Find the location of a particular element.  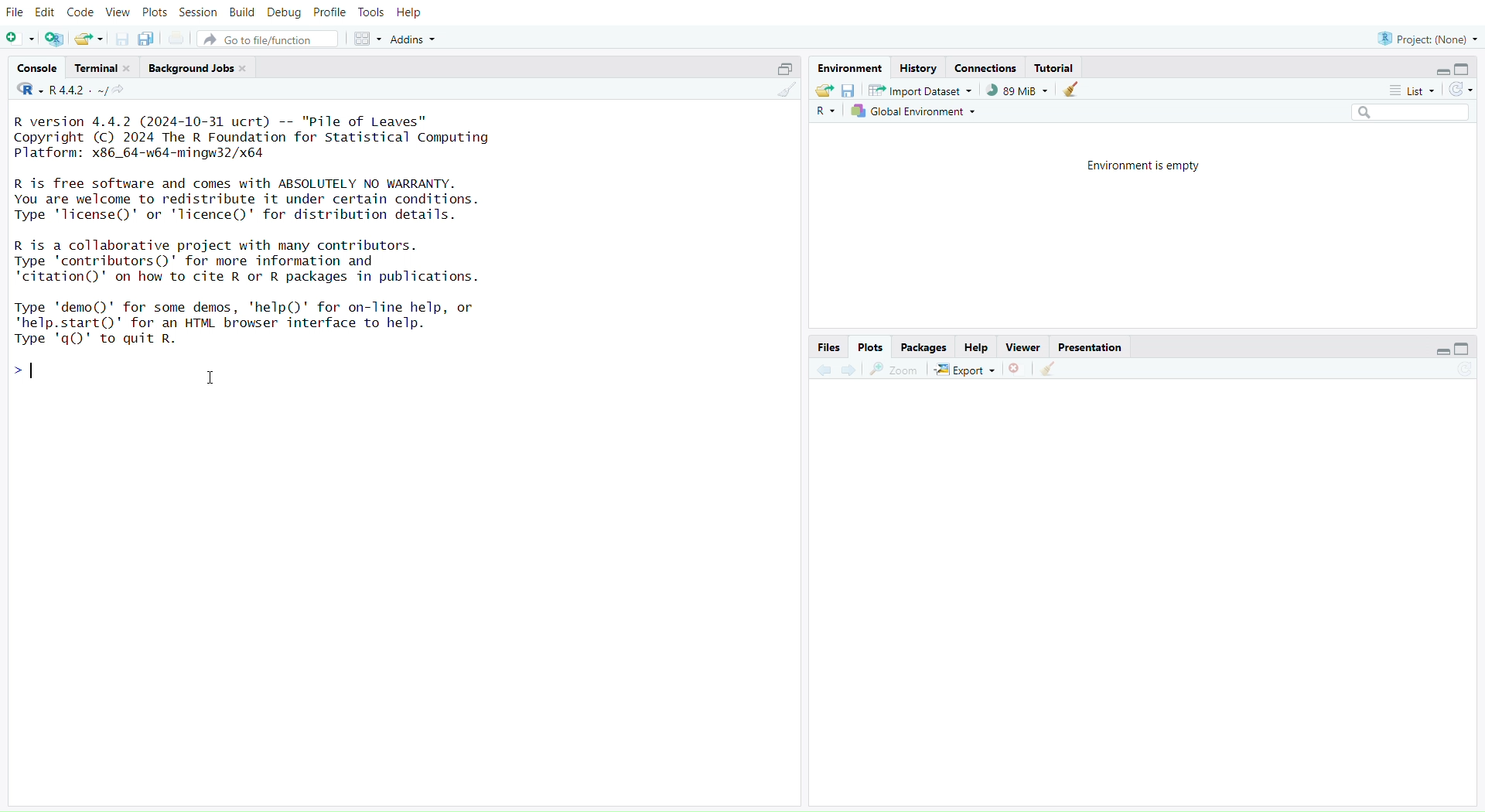

Help is located at coordinates (975, 346).